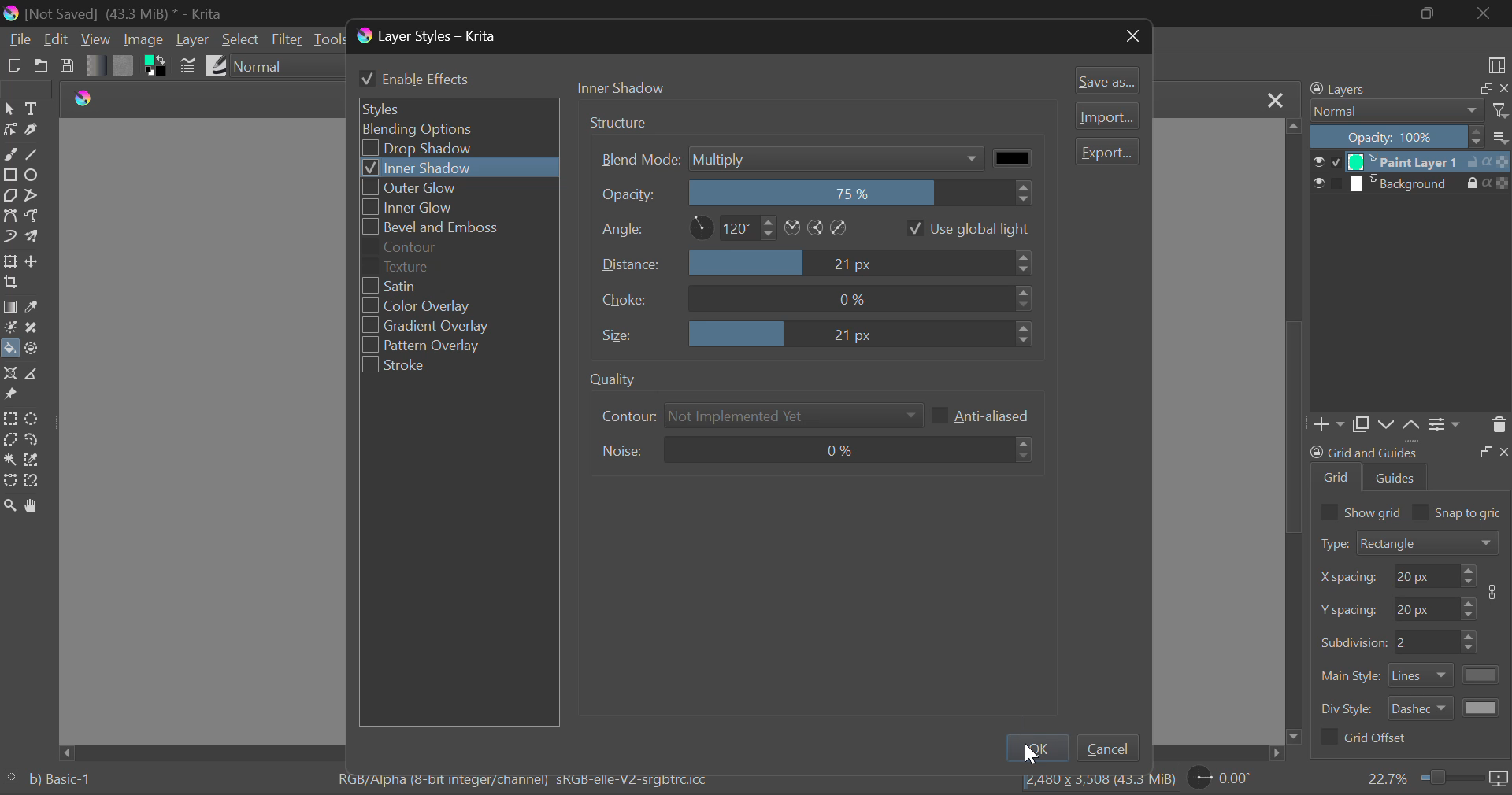 This screenshot has height=795, width=1512. I want to click on Open, so click(43, 65).